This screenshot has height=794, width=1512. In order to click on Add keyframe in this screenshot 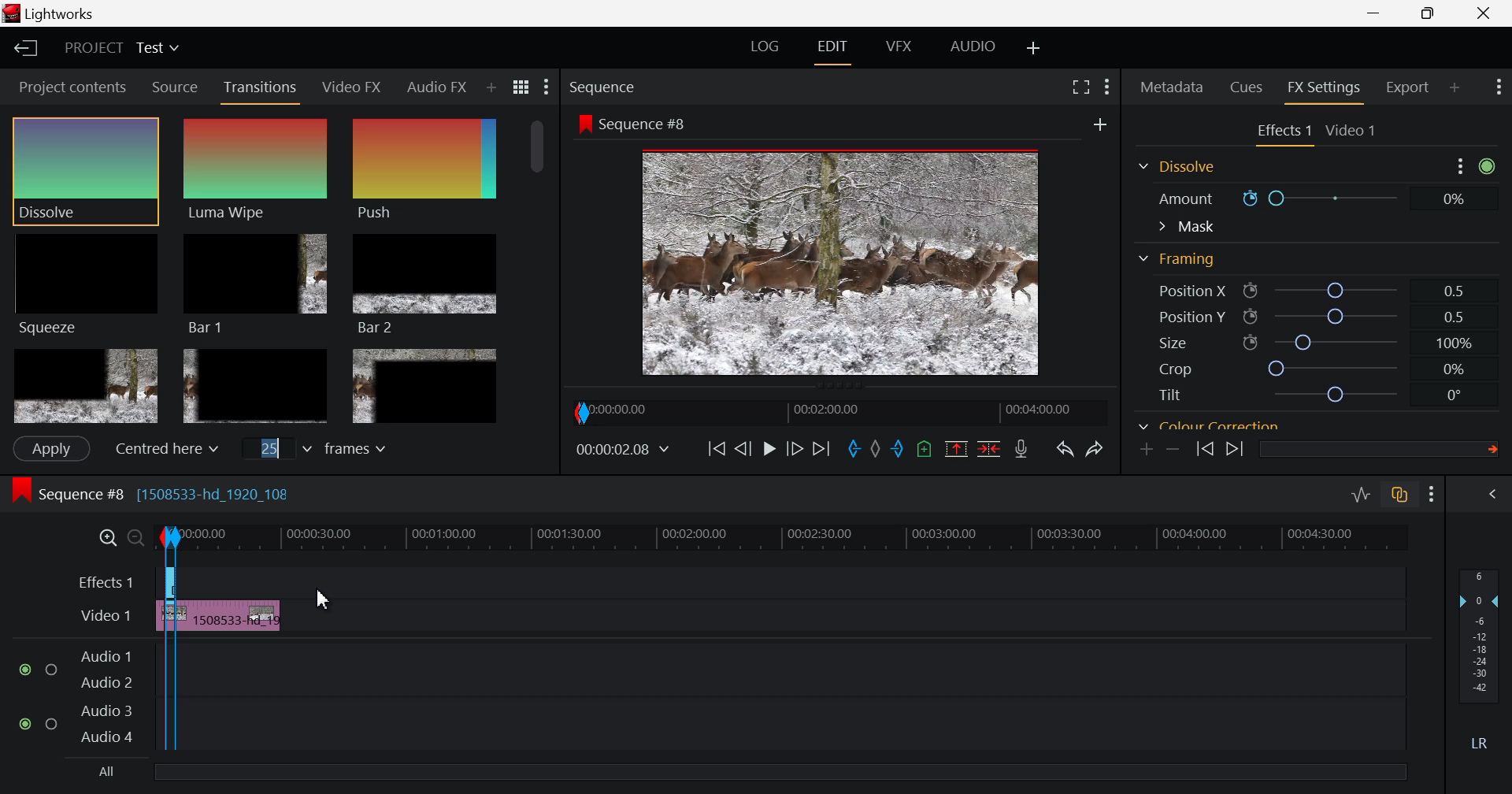, I will do `click(1148, 449)`.